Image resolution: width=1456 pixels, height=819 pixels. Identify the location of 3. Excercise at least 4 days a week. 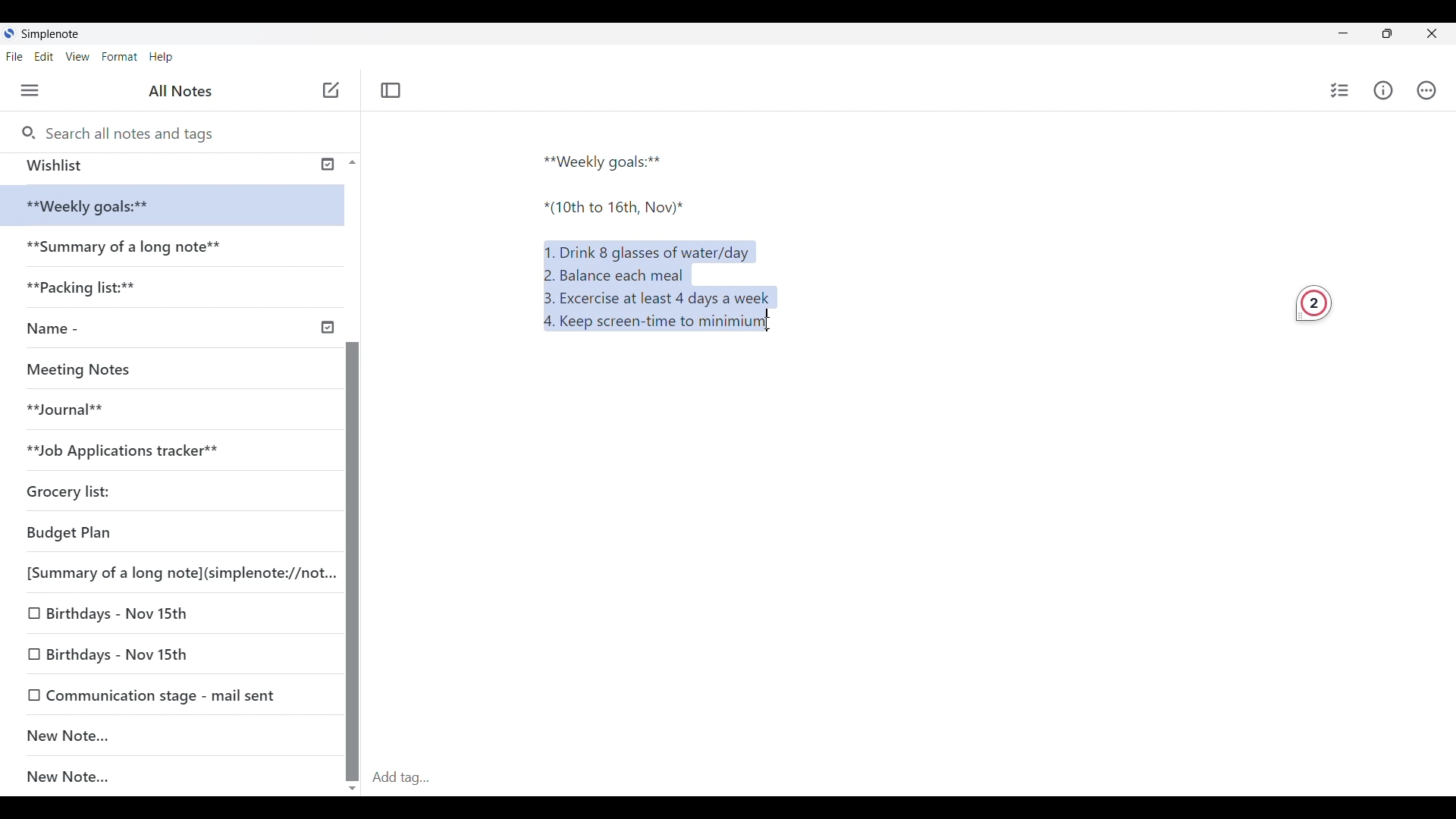
(663, 298).